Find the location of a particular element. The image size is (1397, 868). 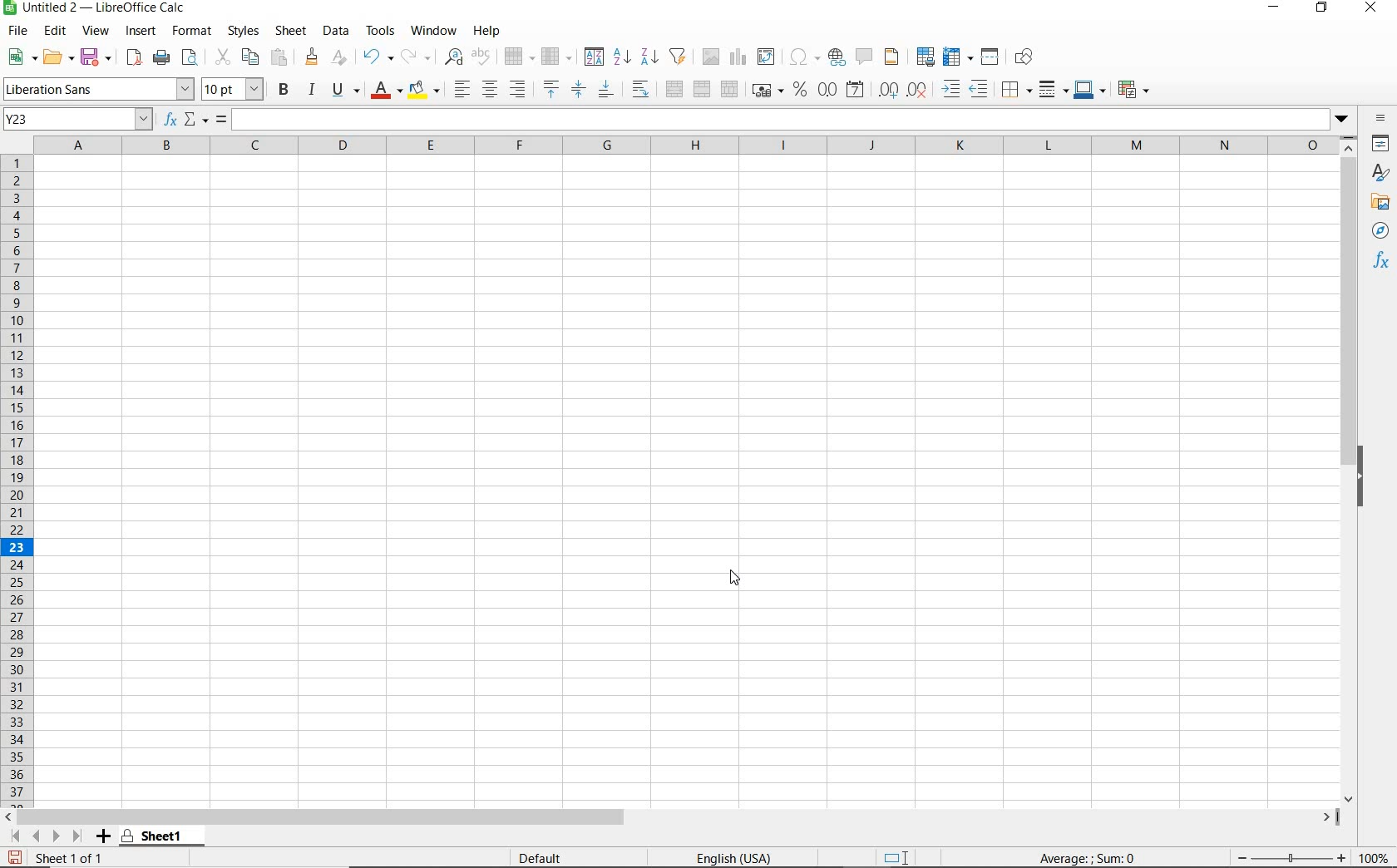

SHEET is located at coordinates (289, 32).